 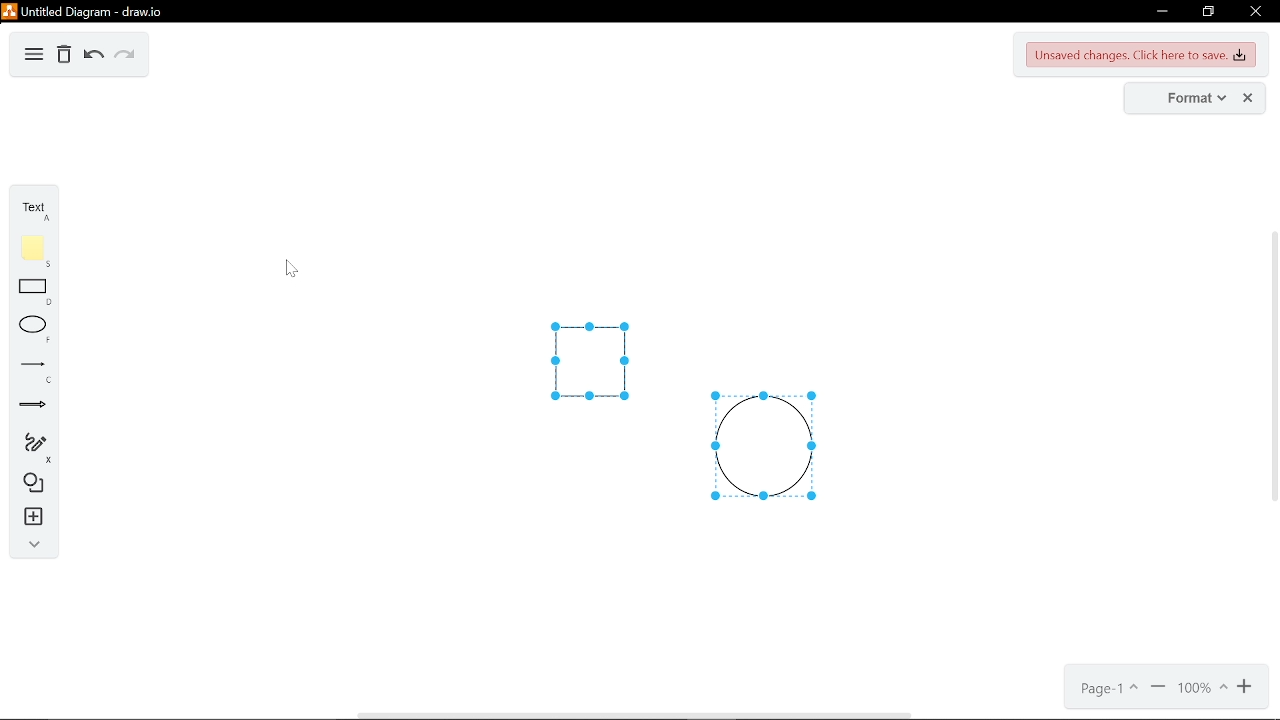 What do you see at coordinates (1157, 688) in the screenshot?
I see `zoom out` at bounding box center [1157, 688].